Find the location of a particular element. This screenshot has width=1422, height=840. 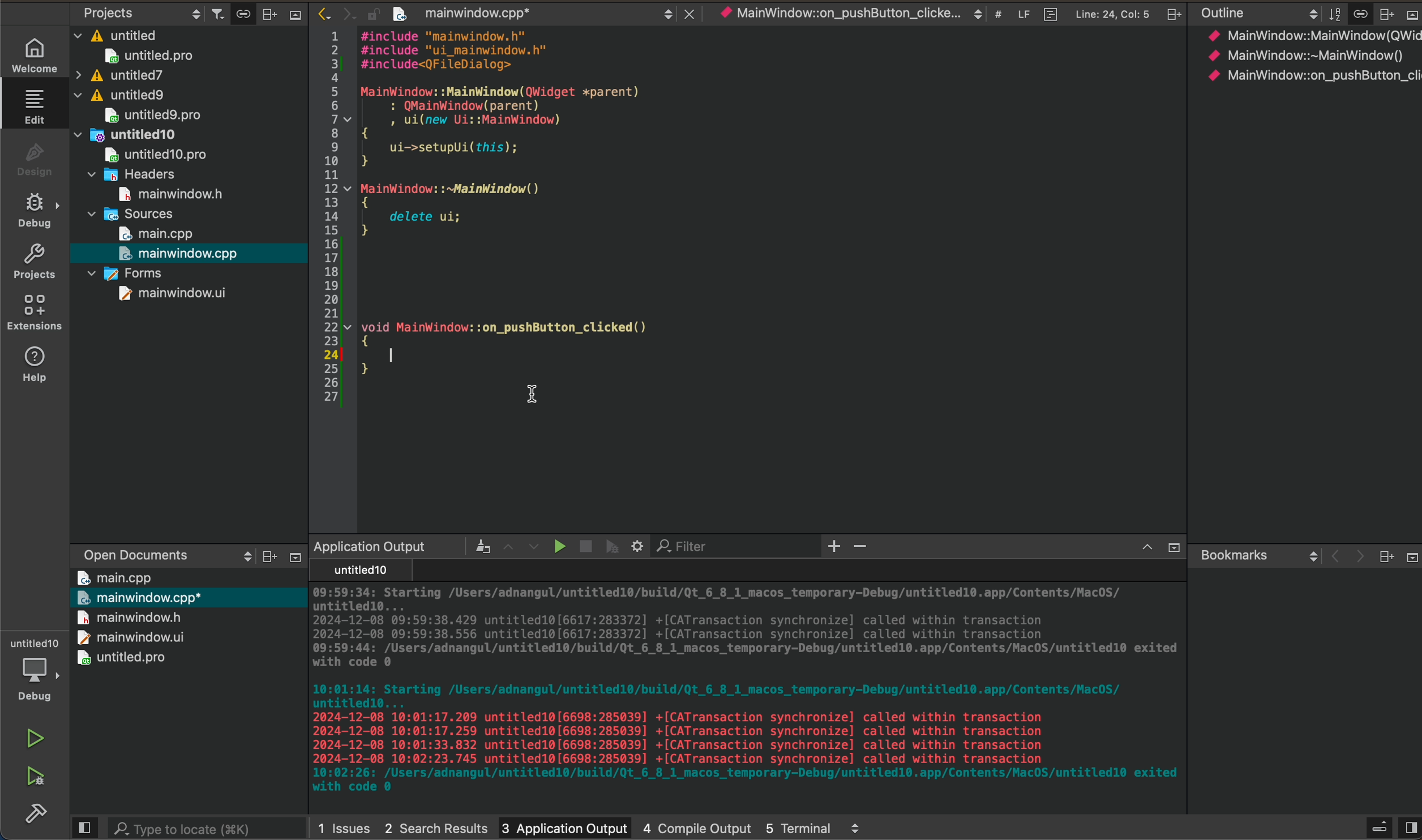

 is located at coordinates (1171, 14).